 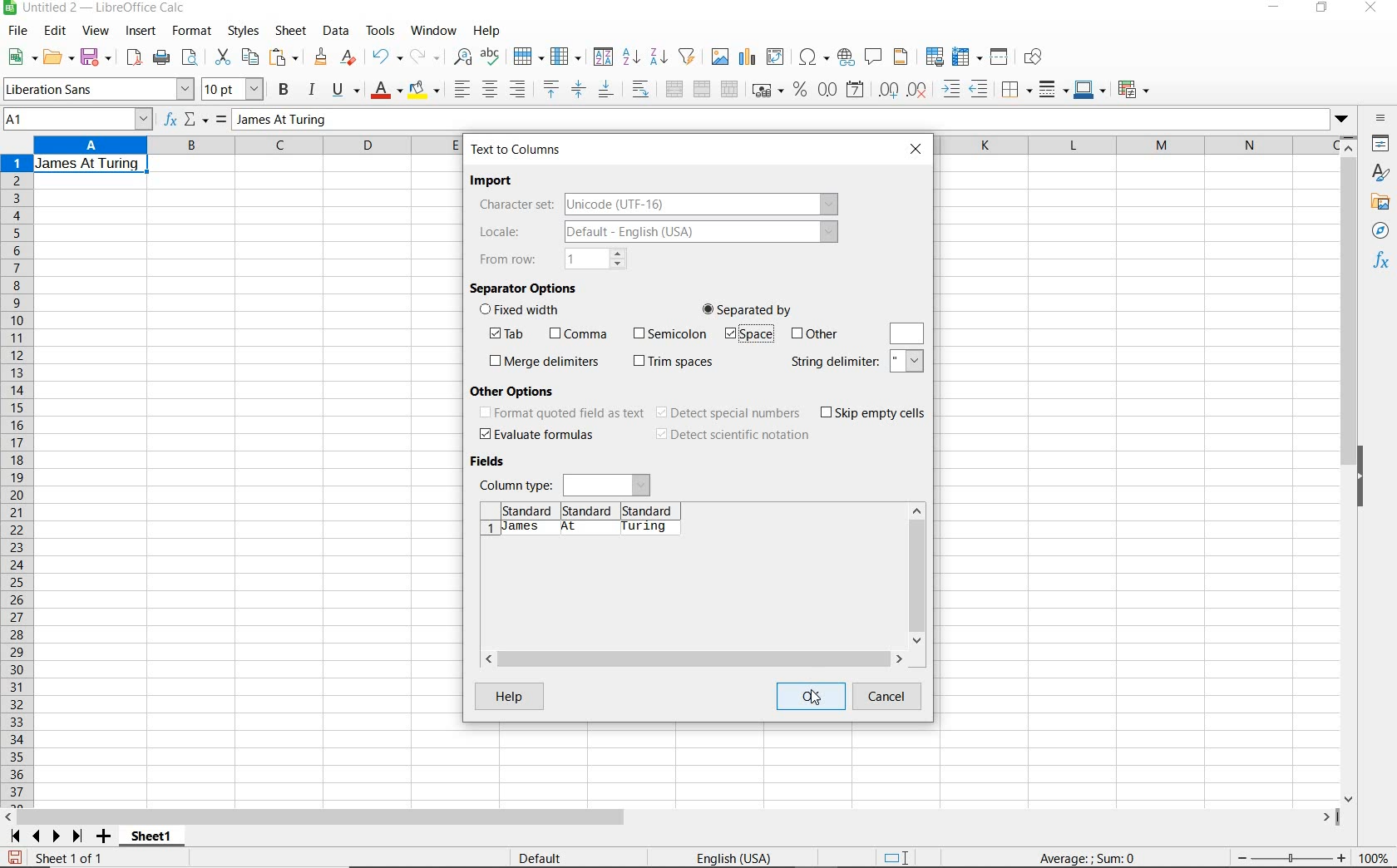 What do you see at coordinates (590, 508) in the screenshot?
I see `standard` at bounding box center [590, 508].